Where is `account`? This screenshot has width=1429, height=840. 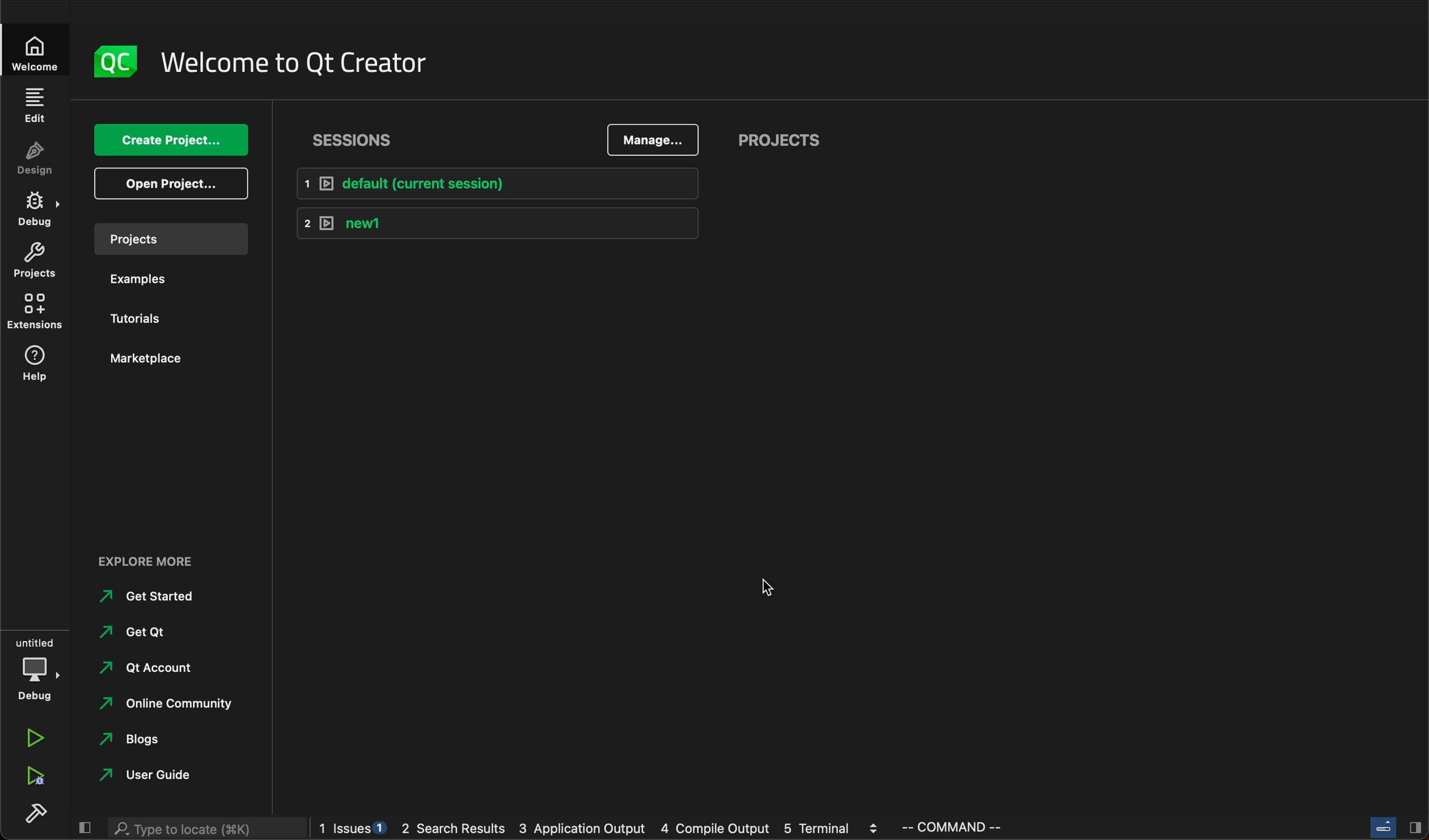 account is located at coordinates (151, 669).